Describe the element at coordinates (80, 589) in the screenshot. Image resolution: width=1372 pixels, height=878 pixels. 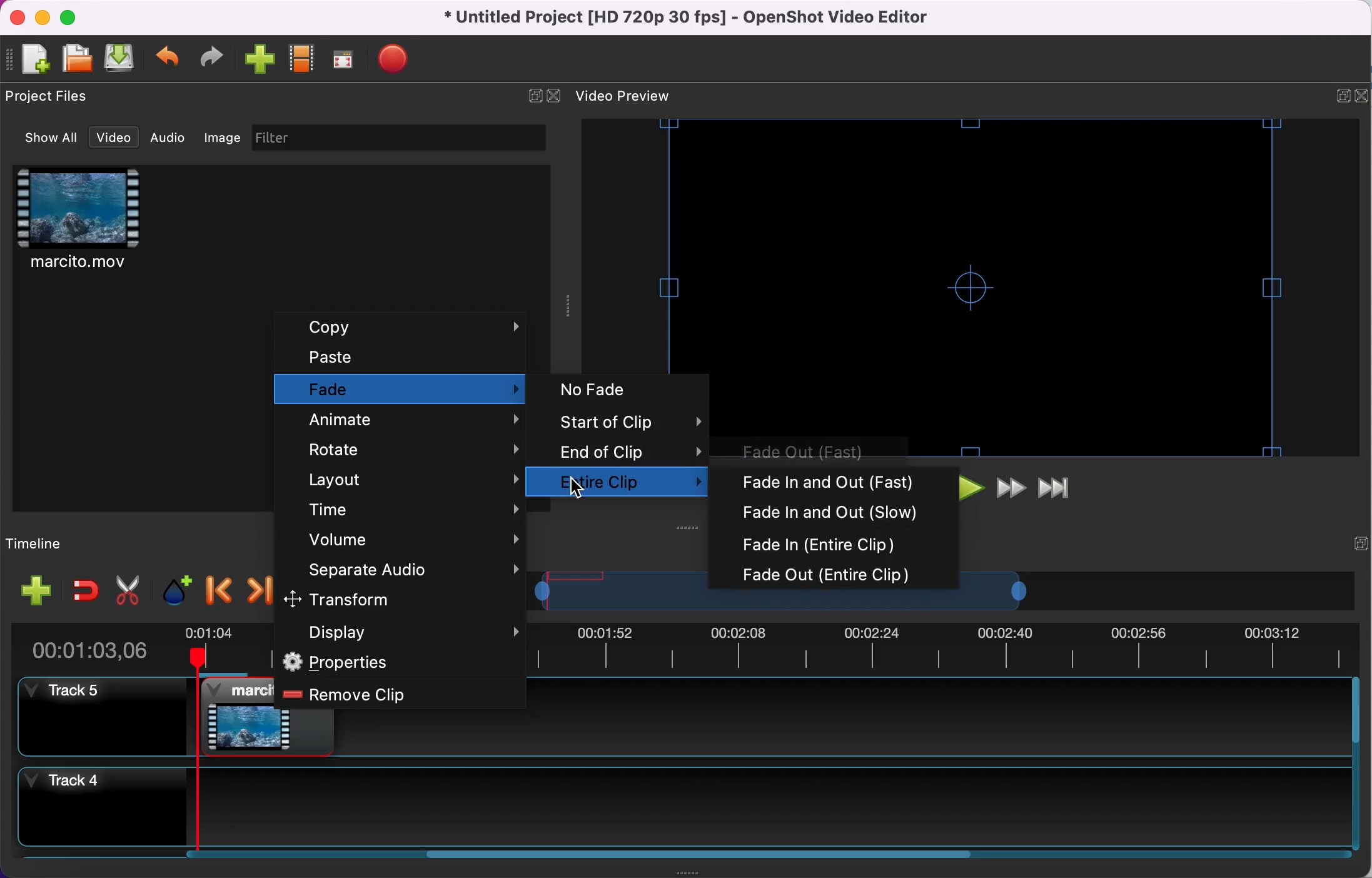
I see `enable snapping` at that location.